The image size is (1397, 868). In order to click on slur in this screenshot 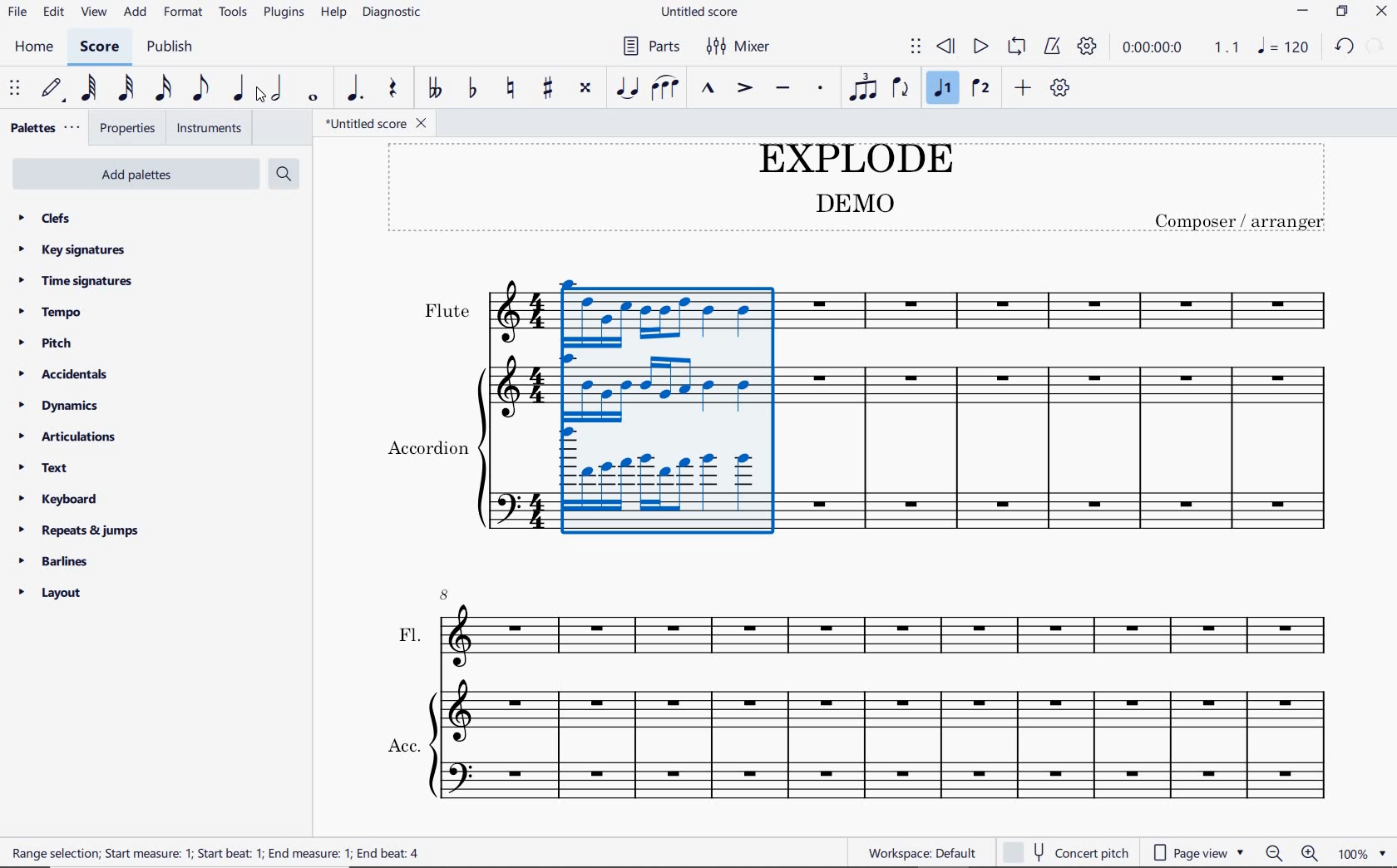, I will do `click(665, 88)`.